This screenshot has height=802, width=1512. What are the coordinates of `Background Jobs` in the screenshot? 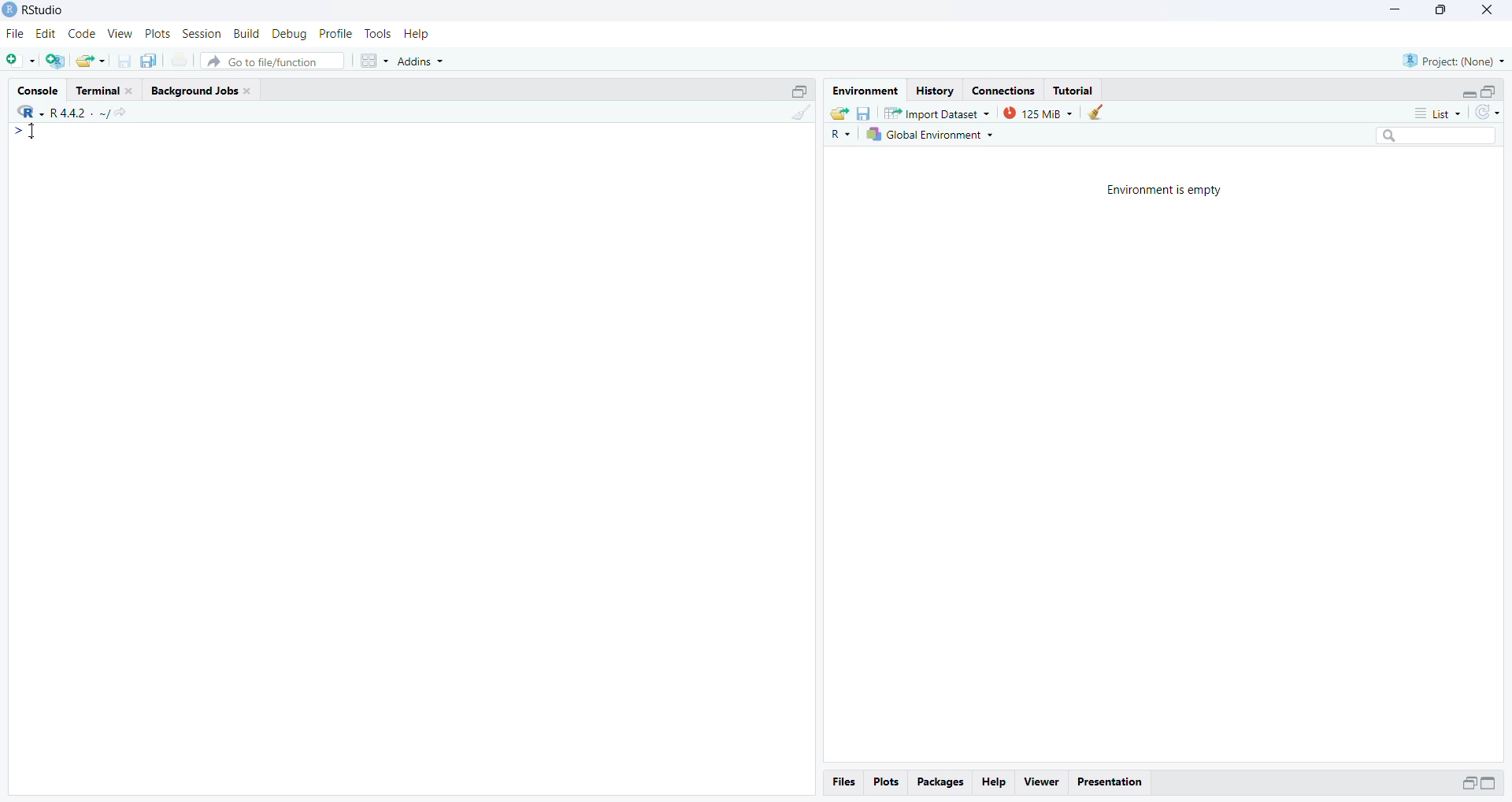 It's located at (206, 90).